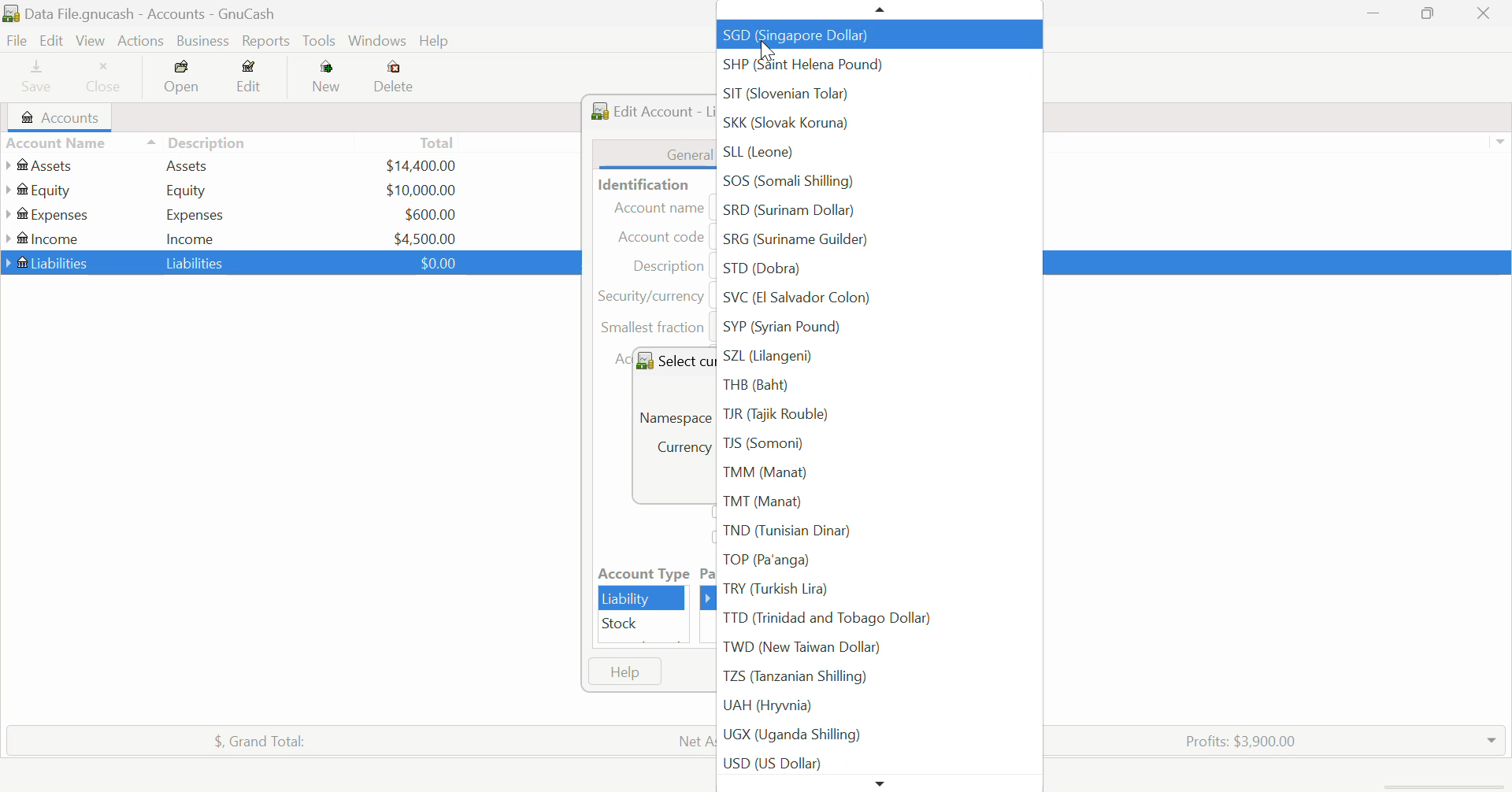 Image resolution: width=1512 pixels, height=792 pixels. I want to click on Profits, so click(1234, 739).